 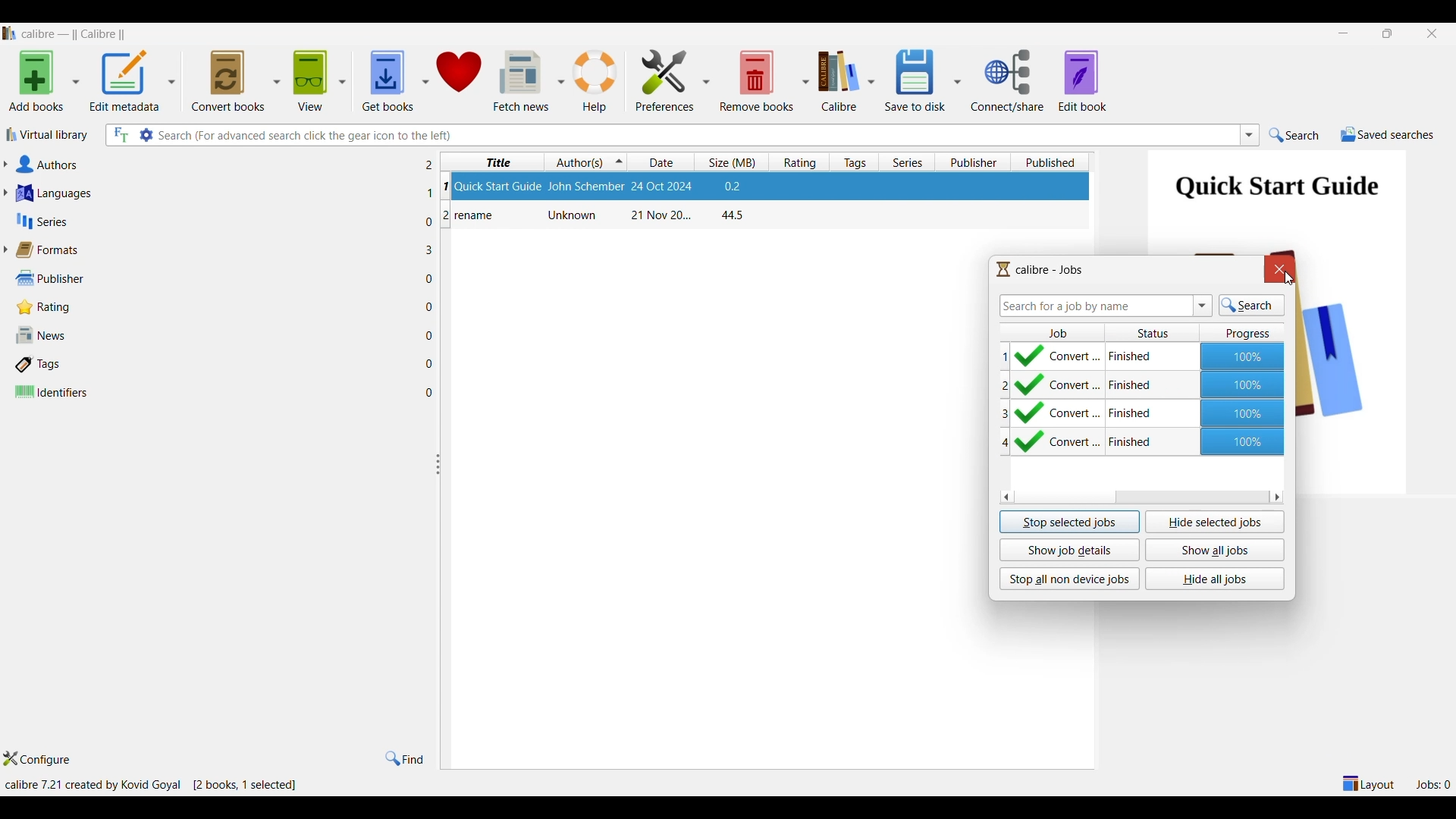 I want to click on Jobs processing new format, so click(x=1430, y=782).